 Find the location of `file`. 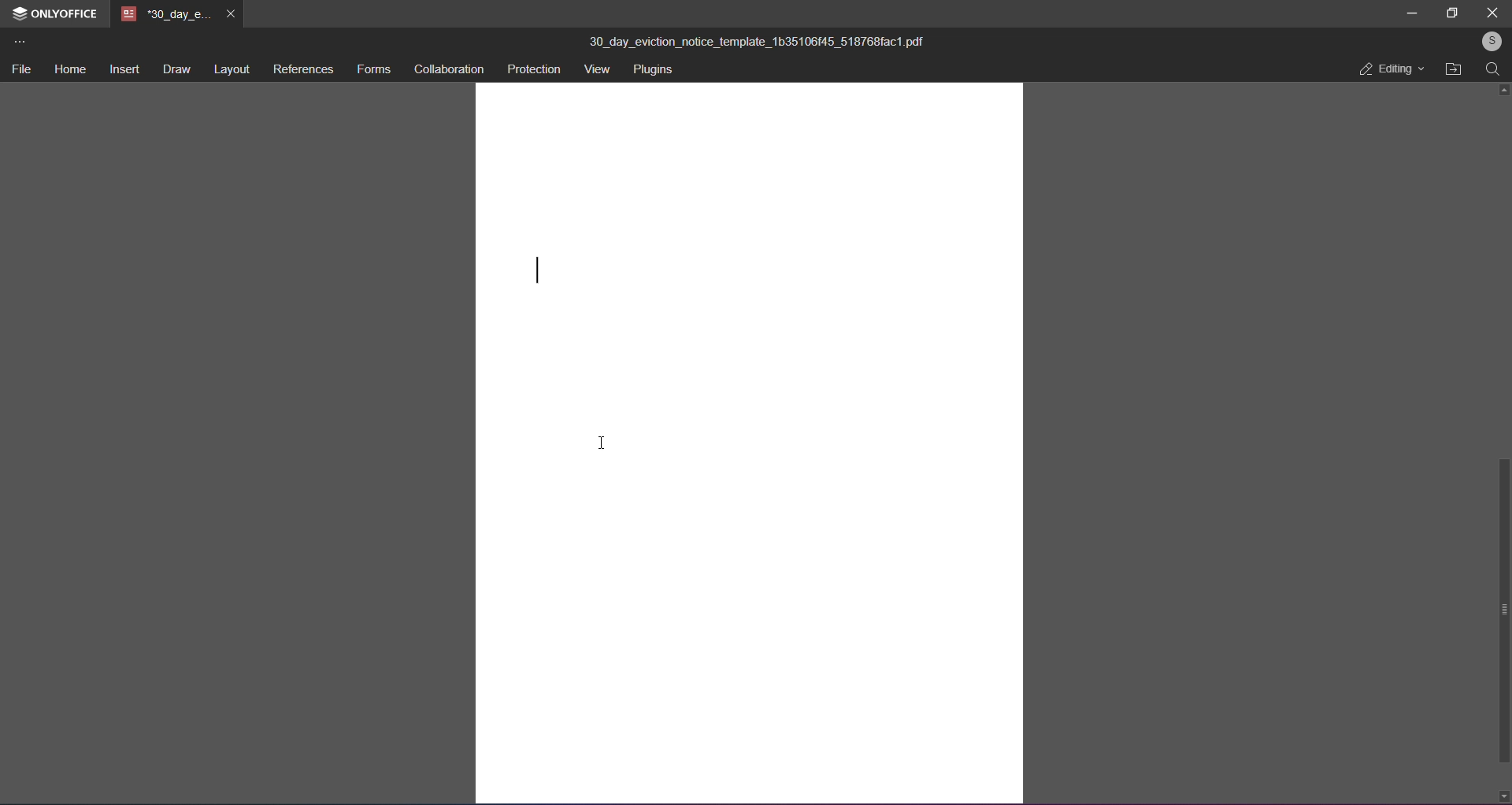

file is located at coordinates (21, 71).